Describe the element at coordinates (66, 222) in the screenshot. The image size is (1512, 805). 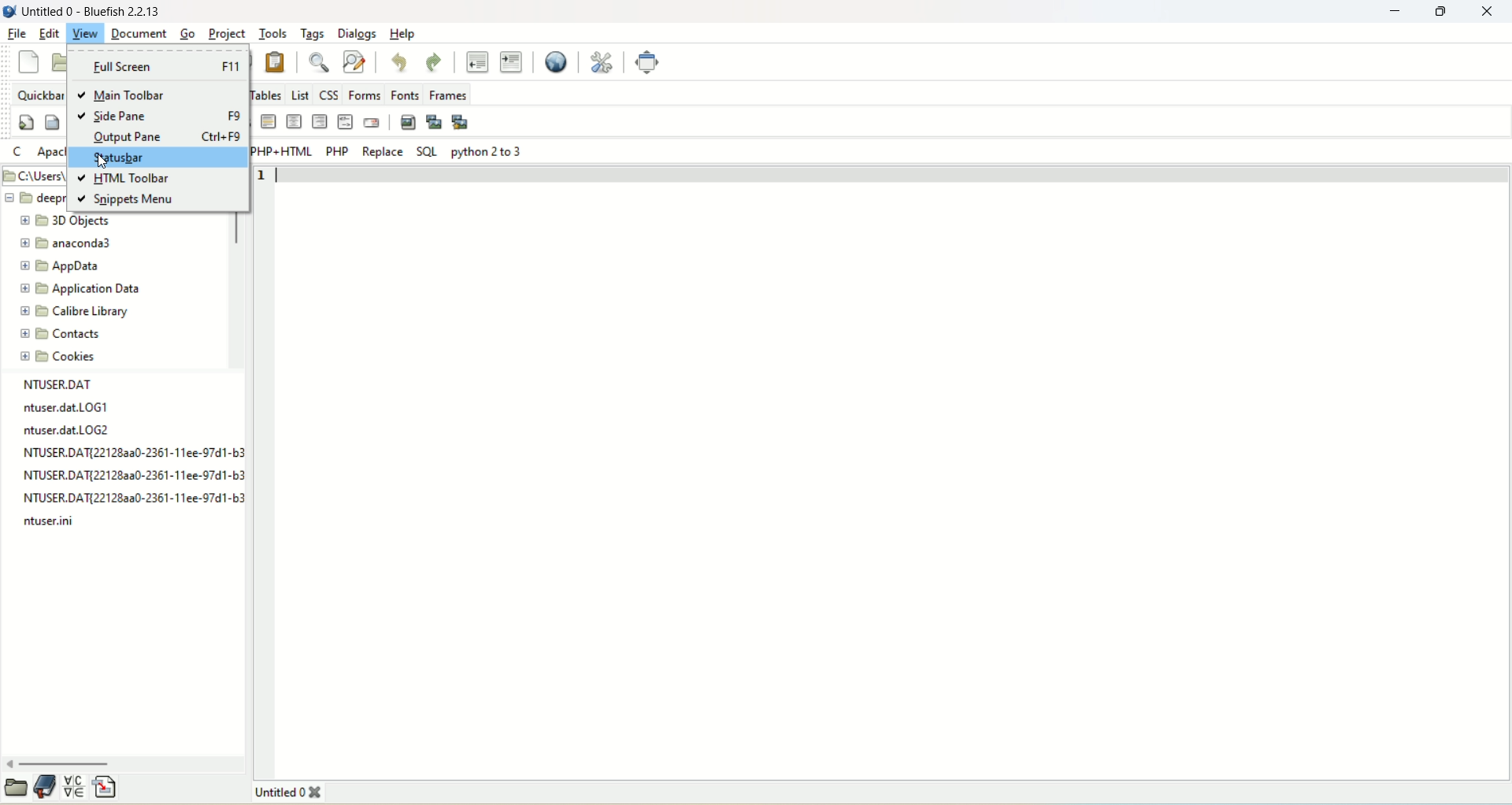
I see `3D objects` at that location.